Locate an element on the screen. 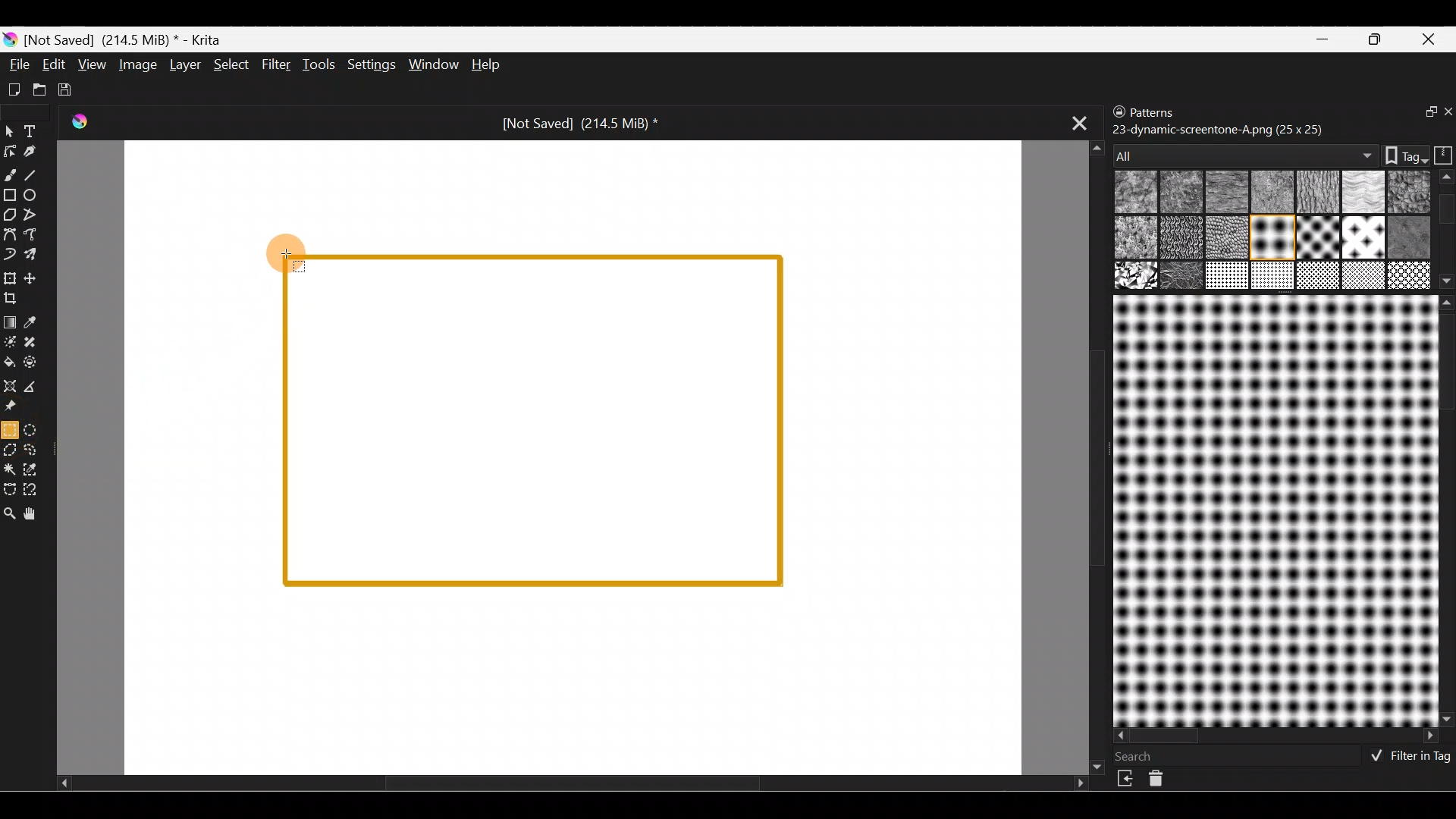 The height and width of the screenshot is (819, 1456). Open existing document is located at coordinates (37, 87).